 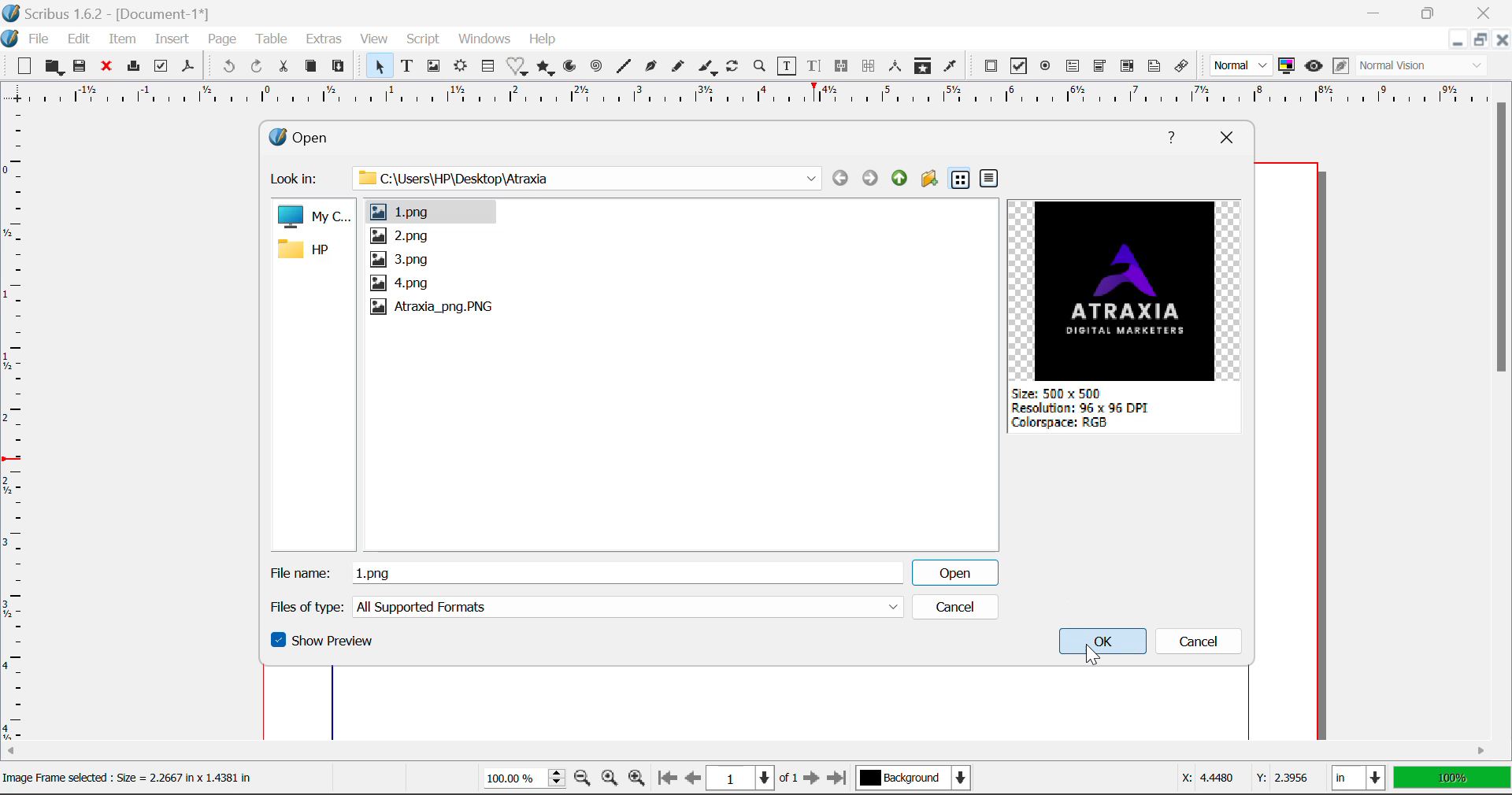 I want to click on Page, so click(x=224, y=39).